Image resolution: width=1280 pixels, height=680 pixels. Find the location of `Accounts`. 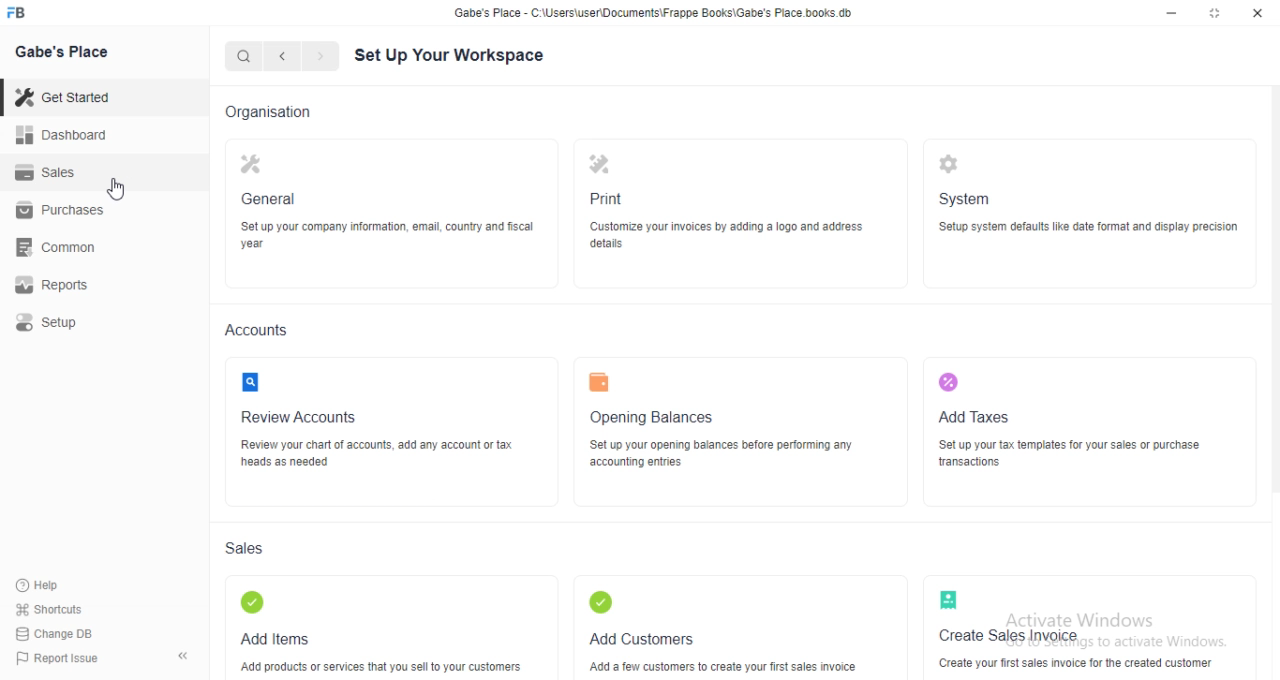

Accounts is located at coordinates (261, 329).